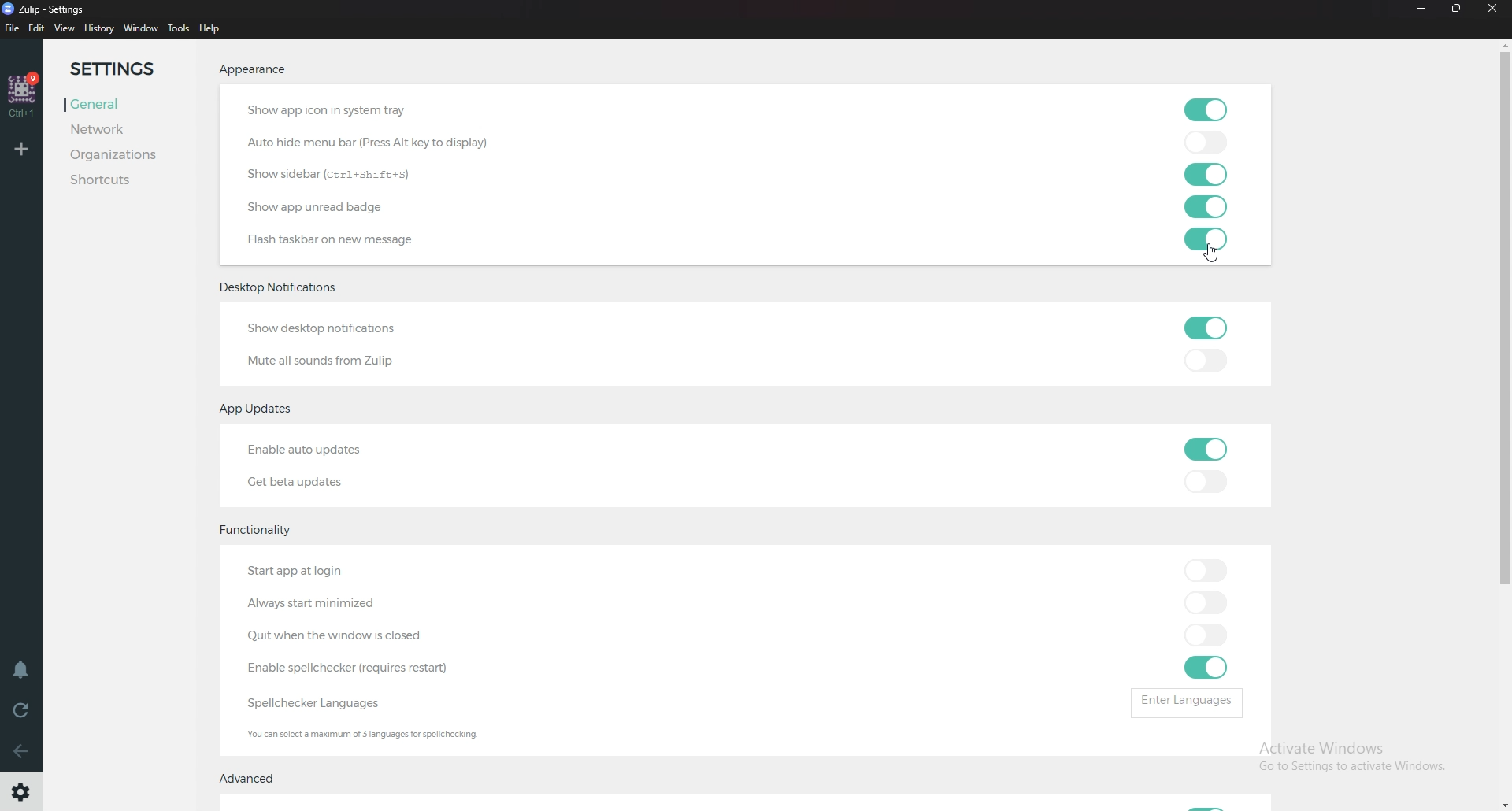 Image resolution: width=1512 pixels, height=811 pixels. What do you see at coordinates (64, 28) in the screenshot?
I see `View` at bounding box center [64, 28].